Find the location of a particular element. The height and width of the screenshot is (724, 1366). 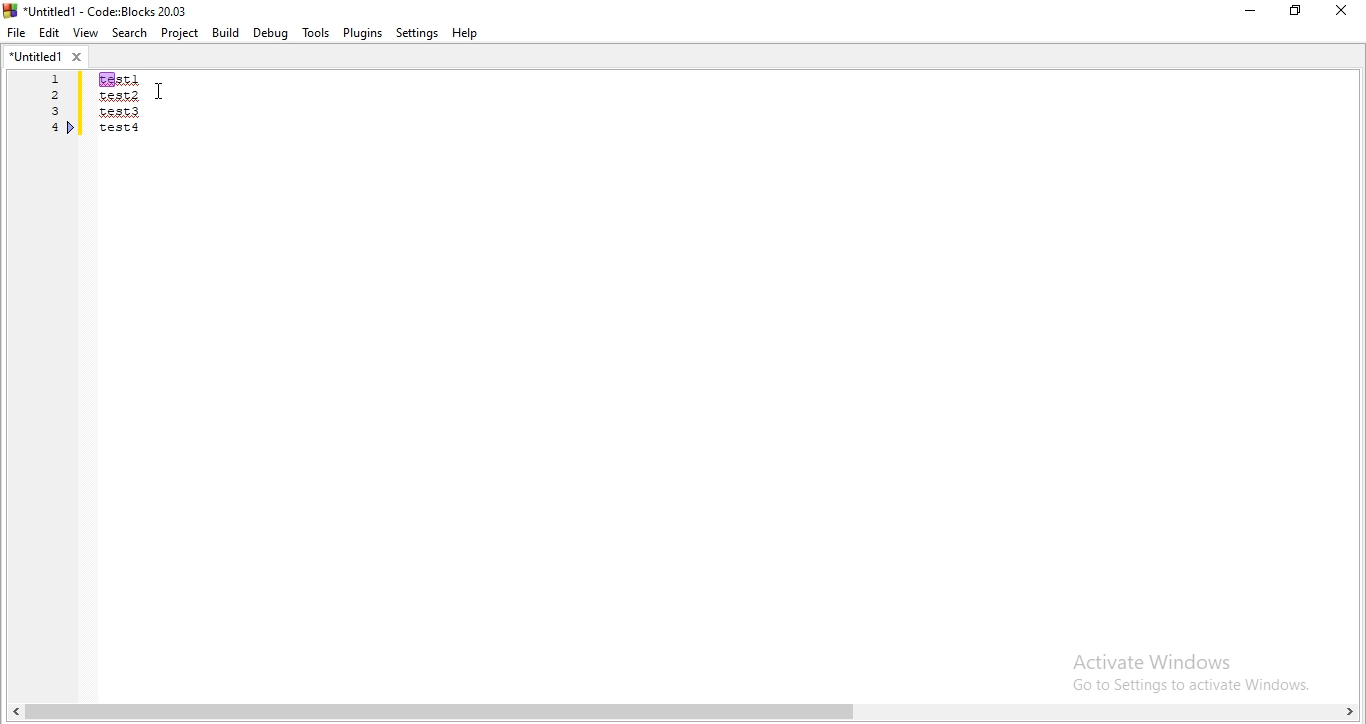

Search  is located at coordinates (131, 34).